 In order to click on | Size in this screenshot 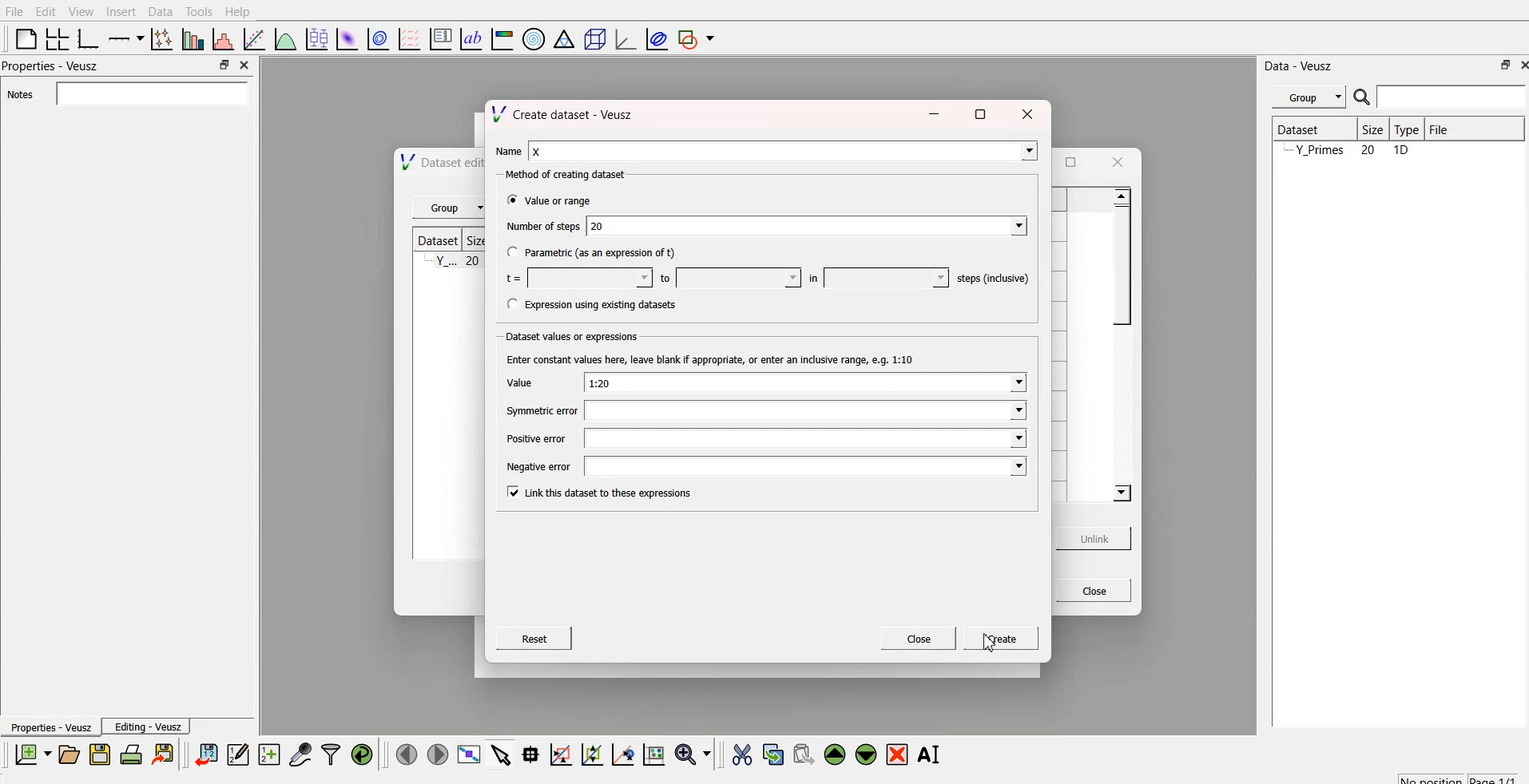, I will do `click(1369, 129)`.